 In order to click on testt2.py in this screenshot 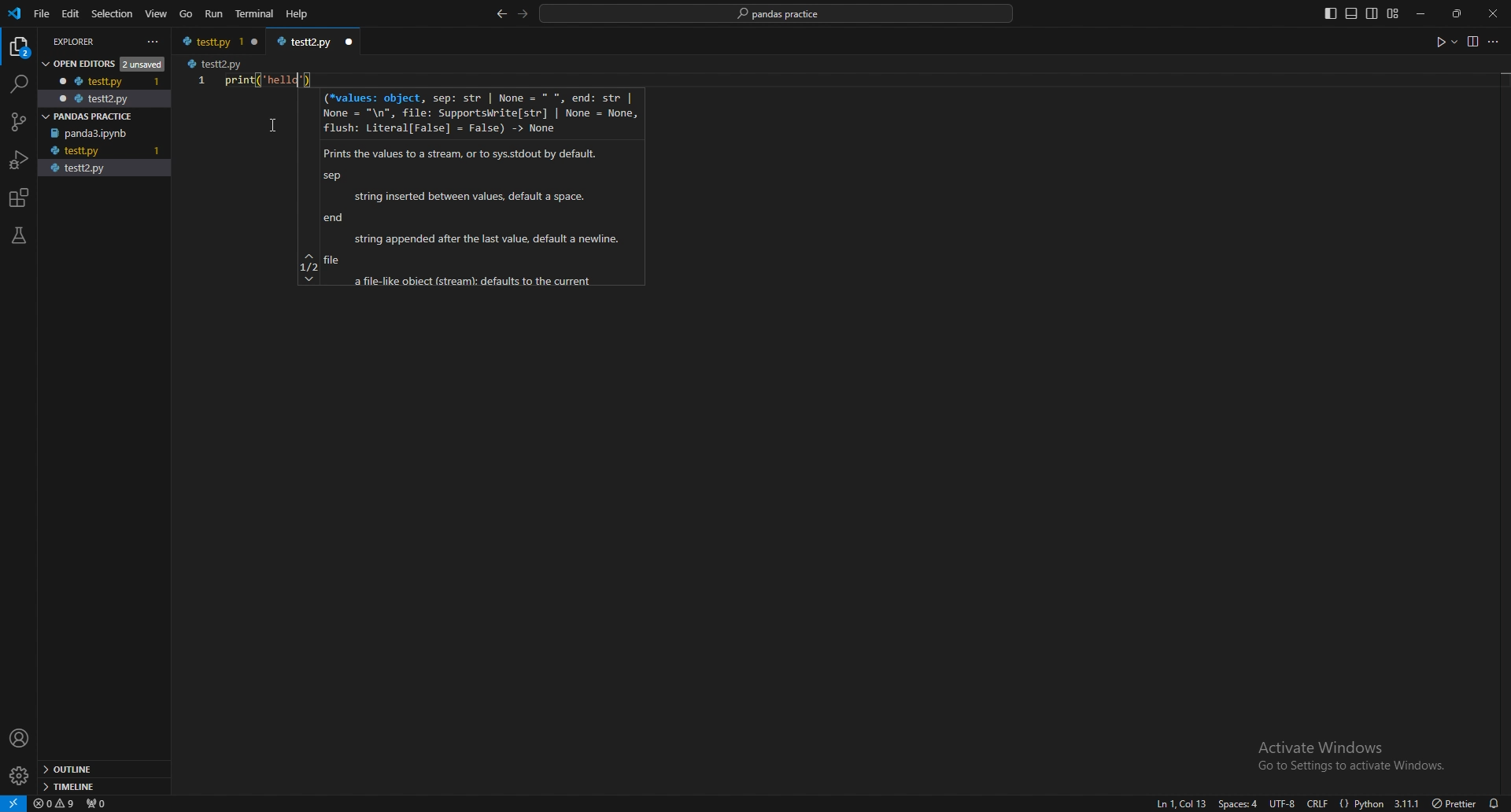, I will do `click(98, 168)`.